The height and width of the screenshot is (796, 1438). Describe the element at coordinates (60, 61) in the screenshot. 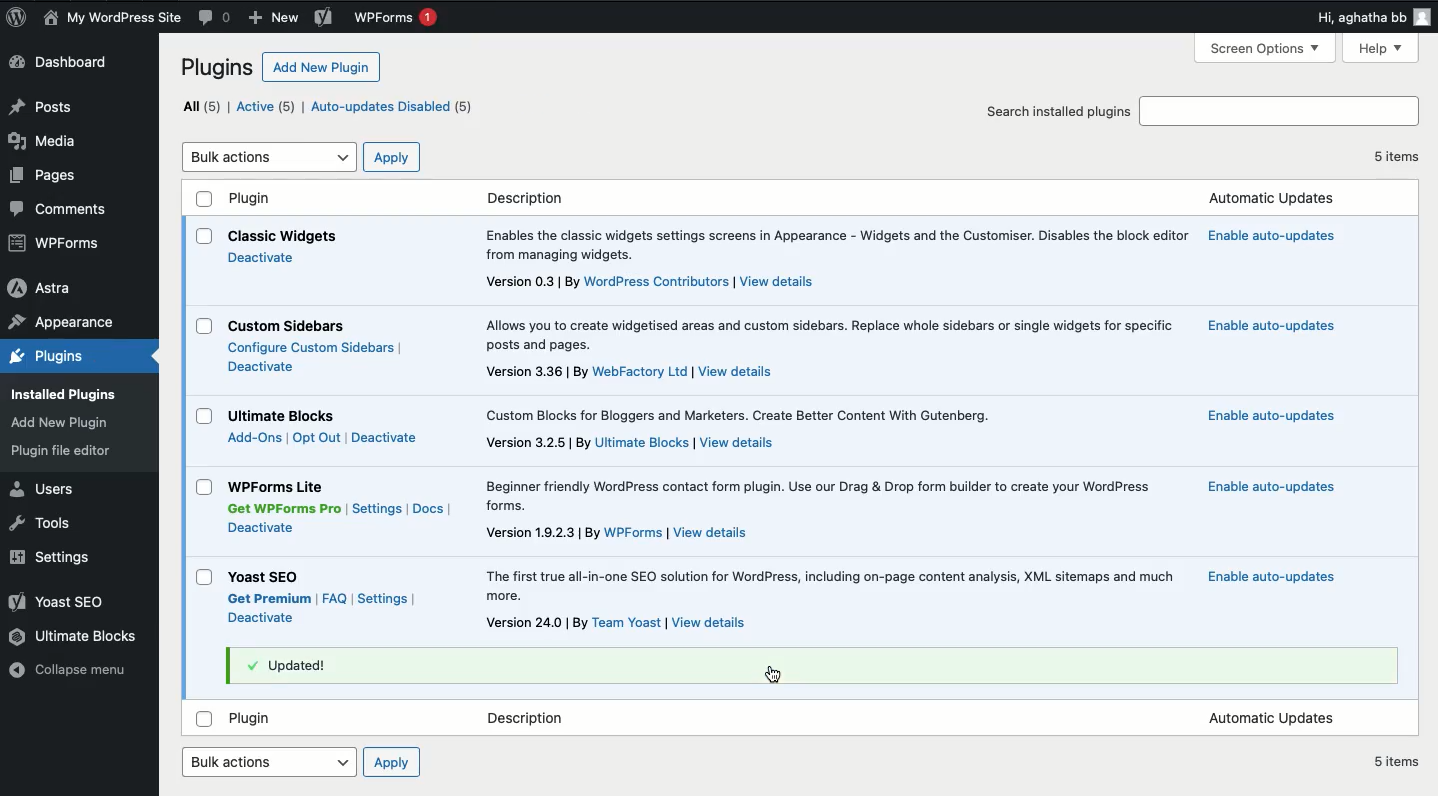

I see `Dashboard` at that location.